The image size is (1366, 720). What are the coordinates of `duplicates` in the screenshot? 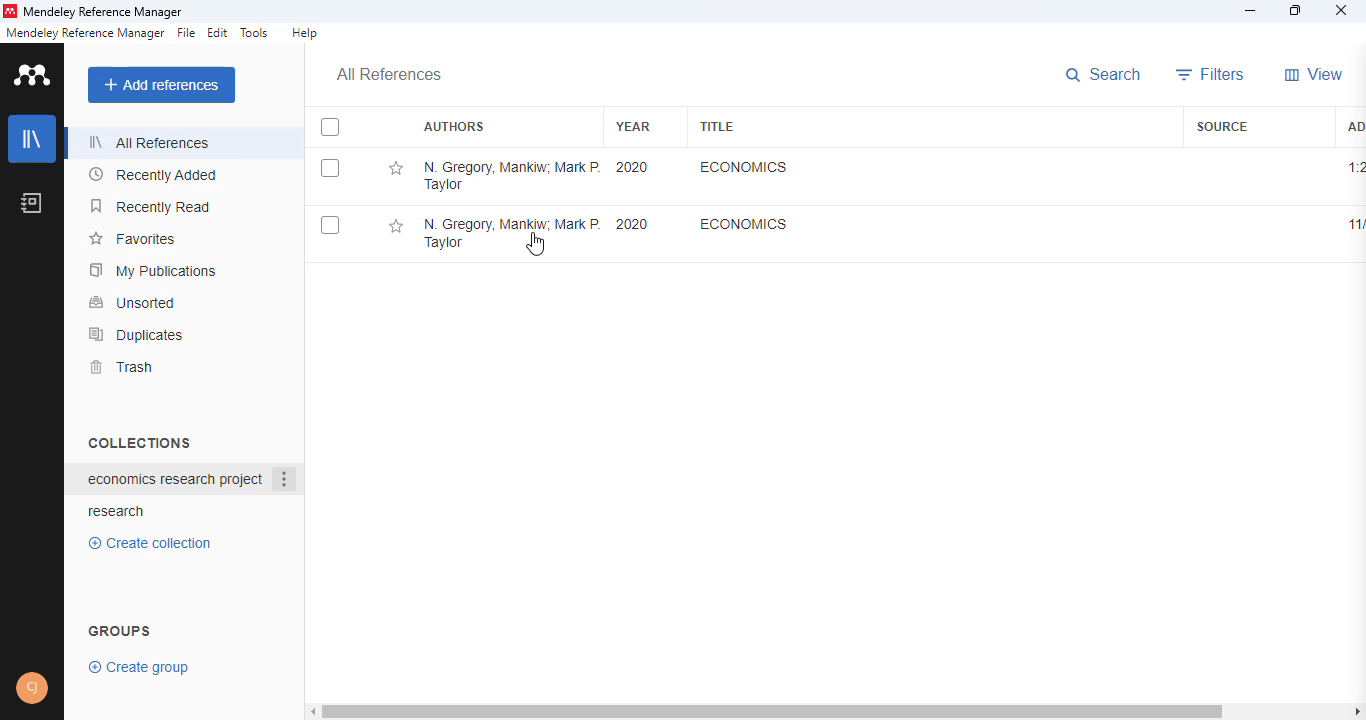 It's located at (137, 334).